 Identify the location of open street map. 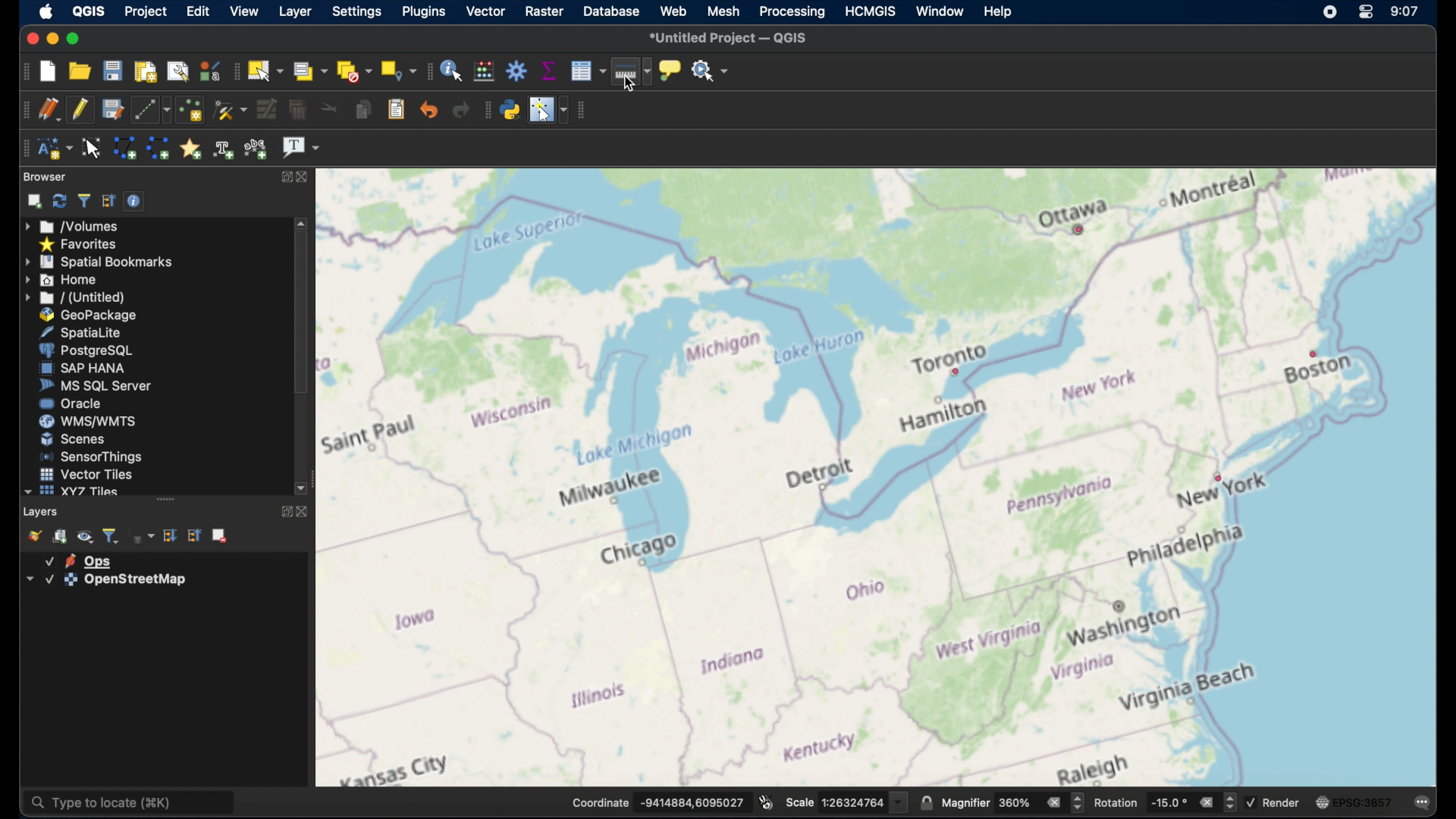
(1250, 195).